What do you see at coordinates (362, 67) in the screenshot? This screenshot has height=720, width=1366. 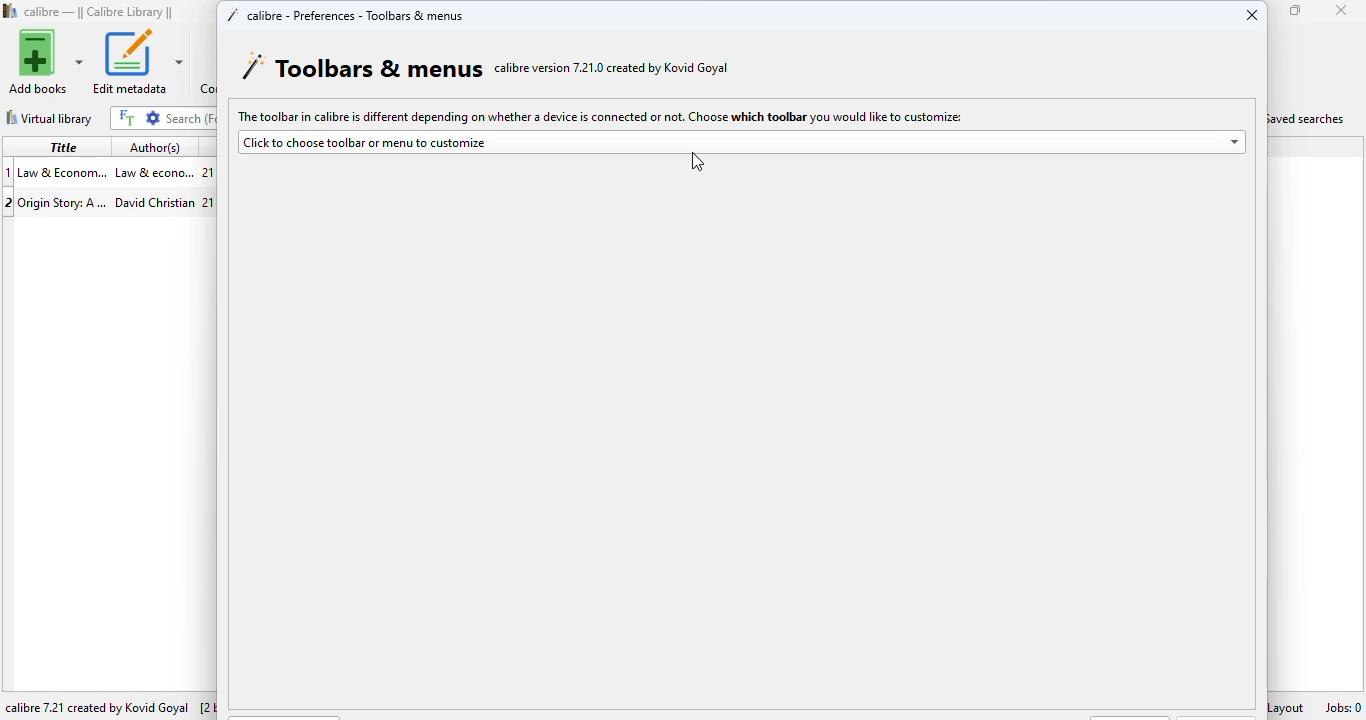 I see `toolbars & menus` at bounding box center [362, 67].